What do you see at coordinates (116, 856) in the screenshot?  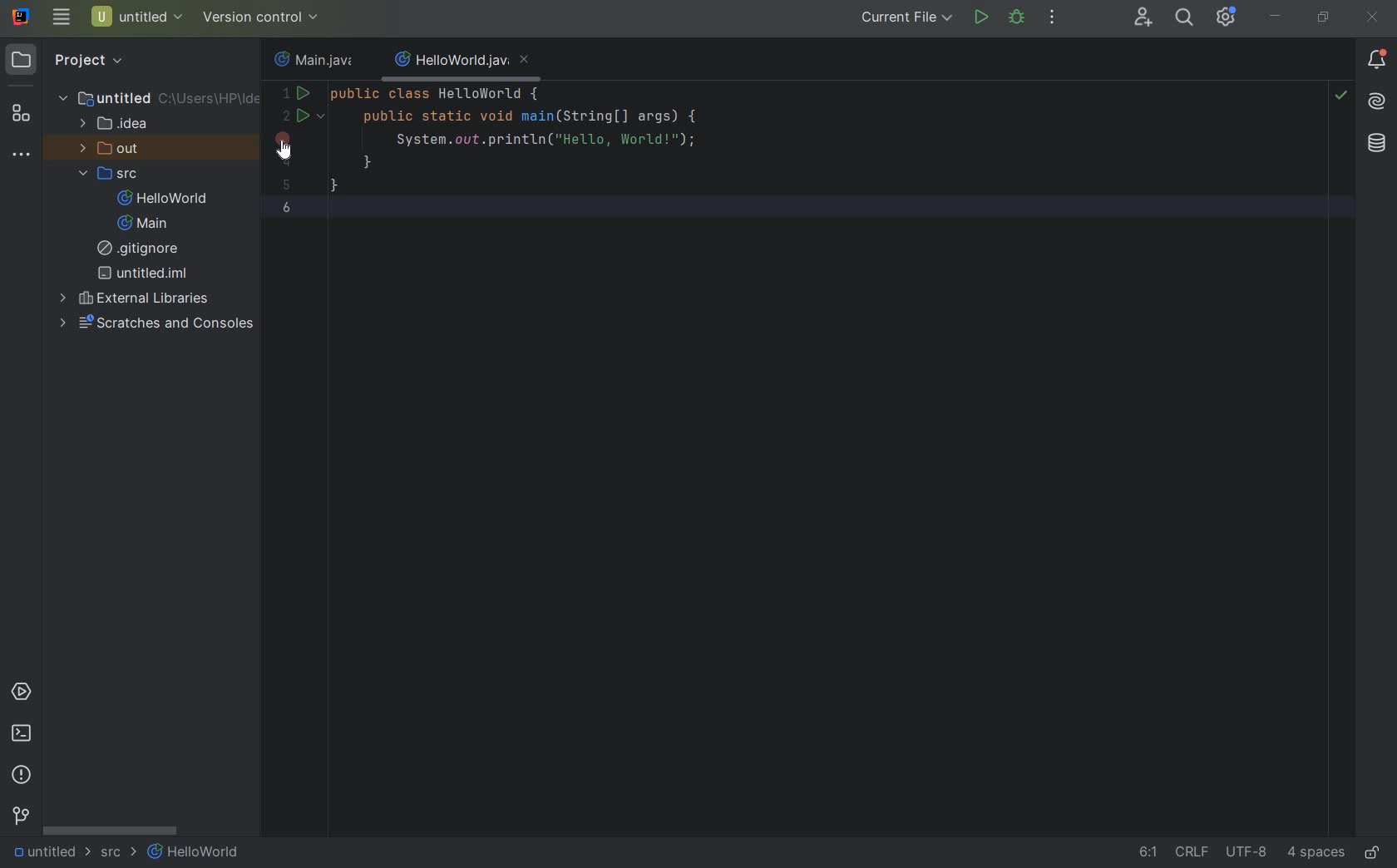 I see `src` at bounding box center [116, 856].